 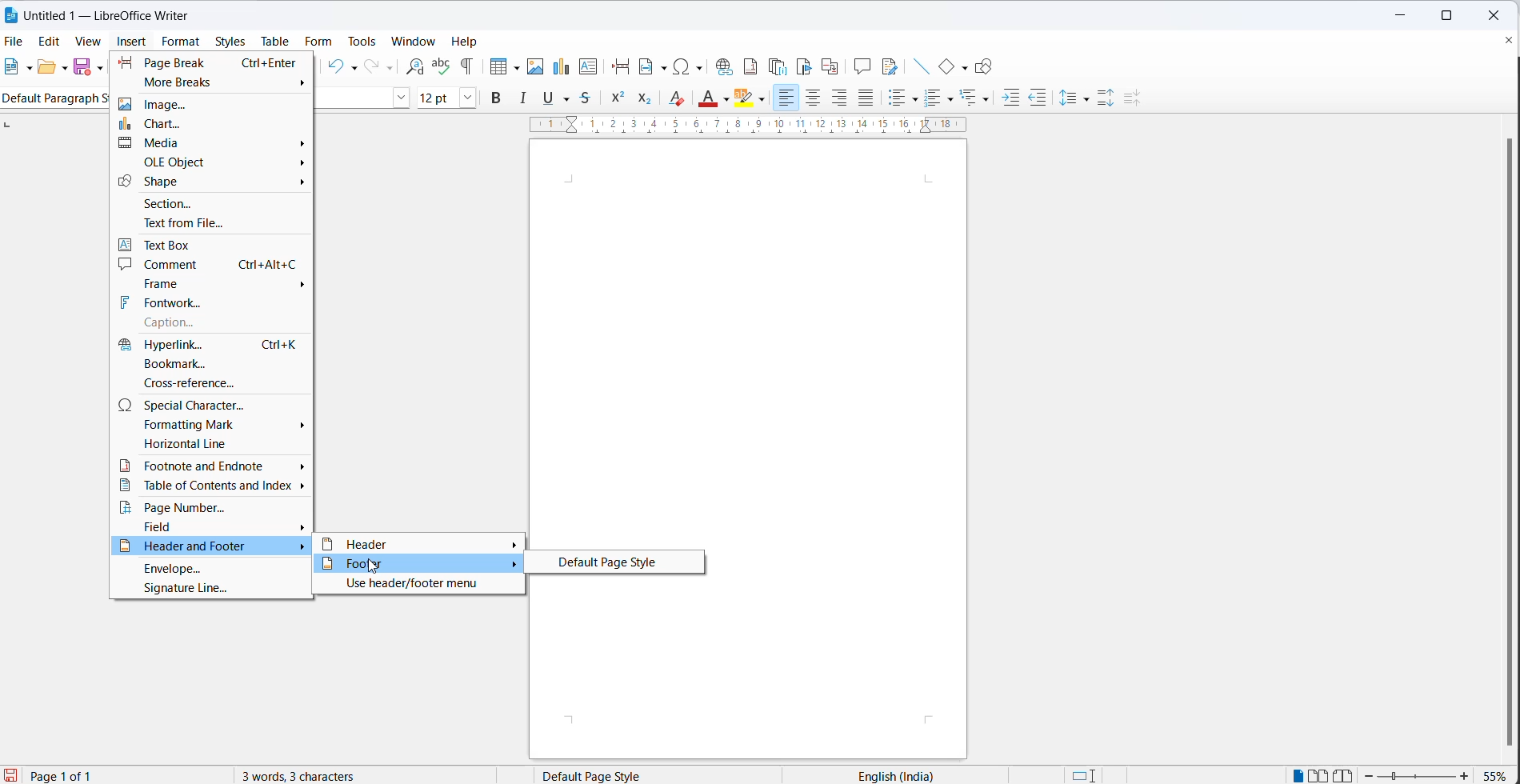 I want to click on open, so click(x=44, y=68).